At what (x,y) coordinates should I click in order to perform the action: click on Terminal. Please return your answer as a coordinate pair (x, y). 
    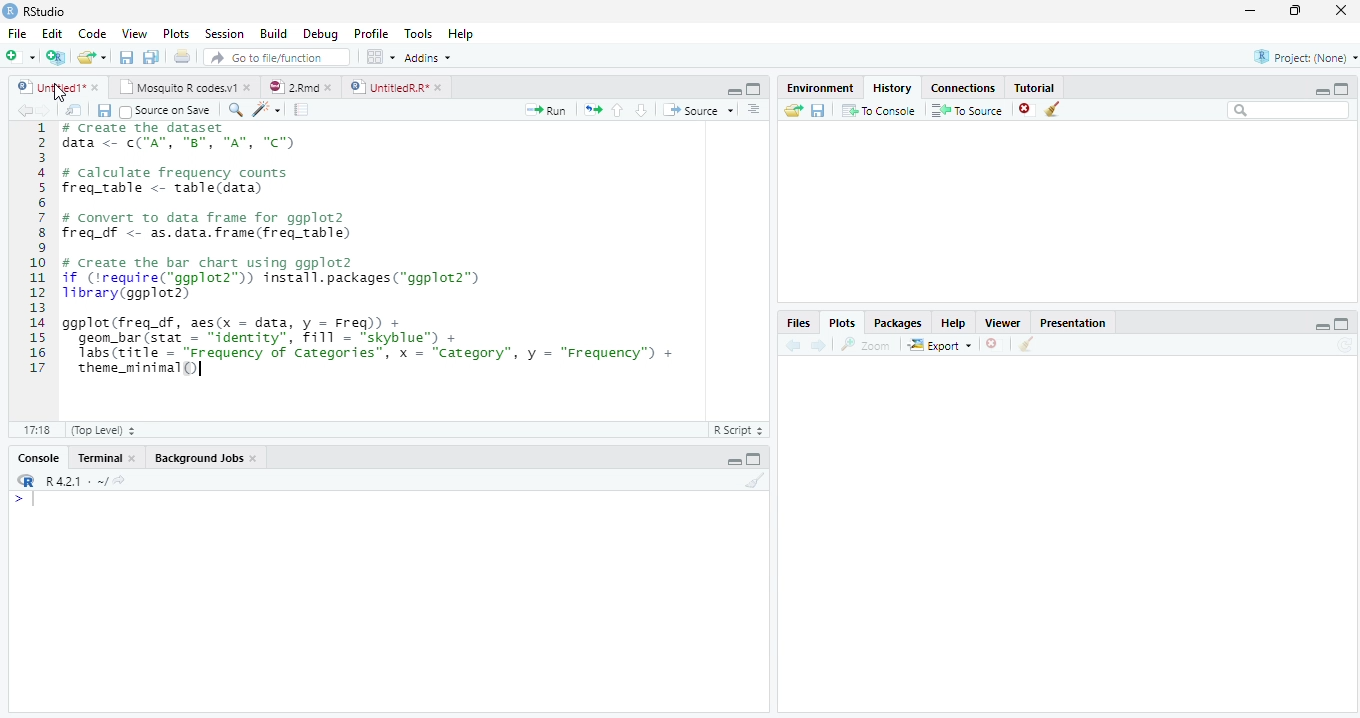
    Looking at the image, I should click on (107, 457).